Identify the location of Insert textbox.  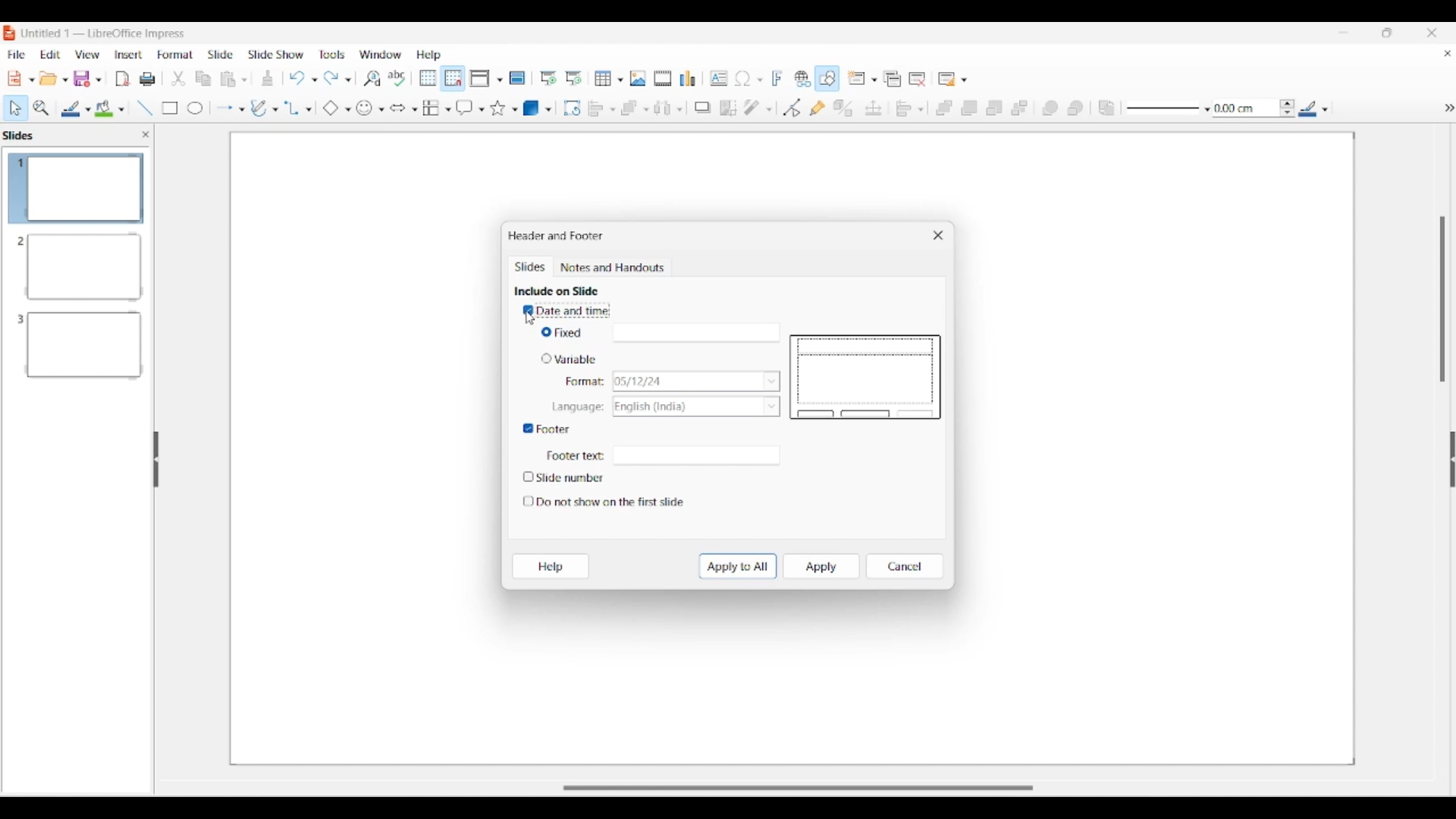
(719, 78).